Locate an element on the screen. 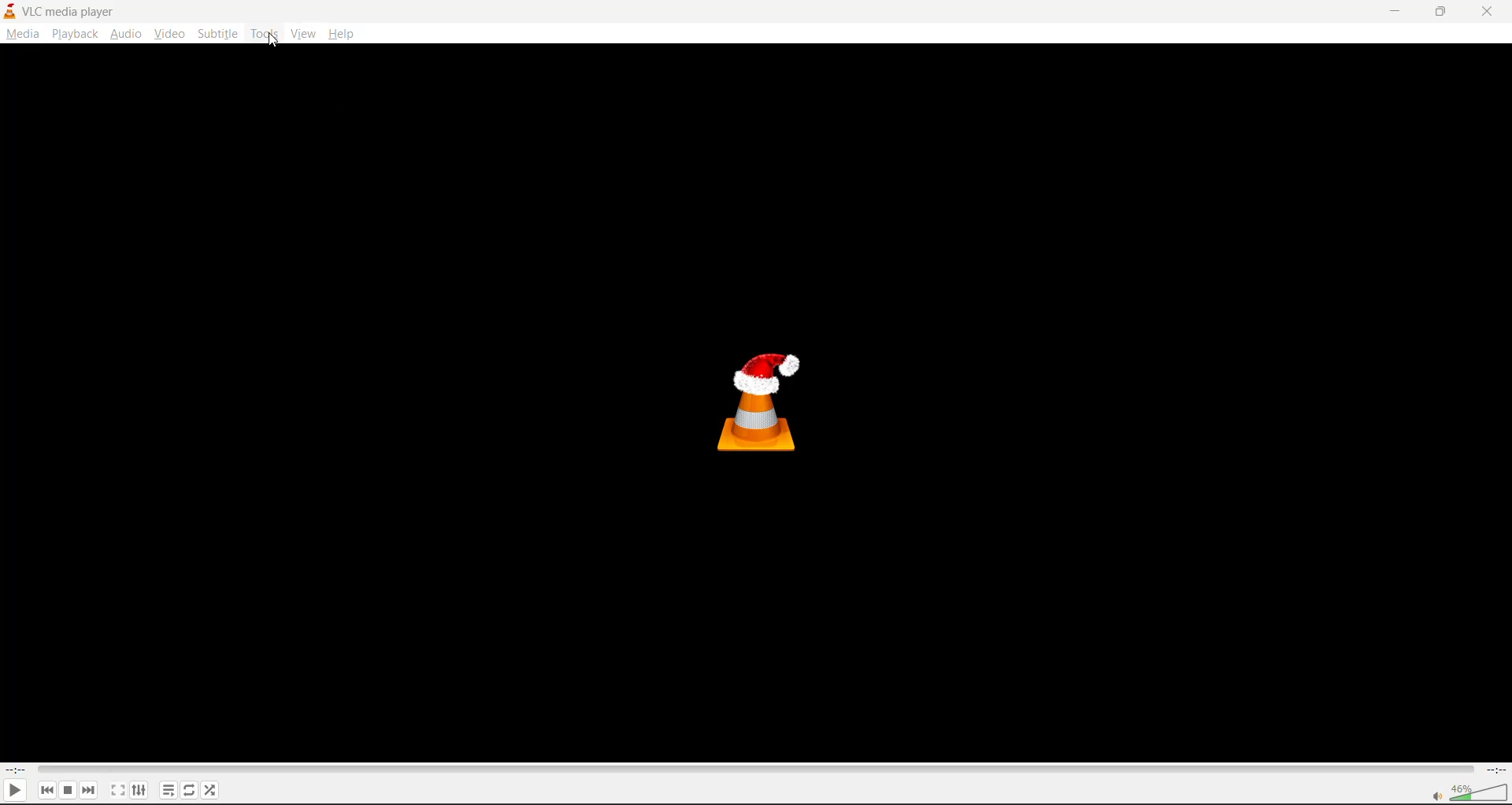 The height and width of the screenshot is (805, 1512). settings is located at coordinates (137, 789).